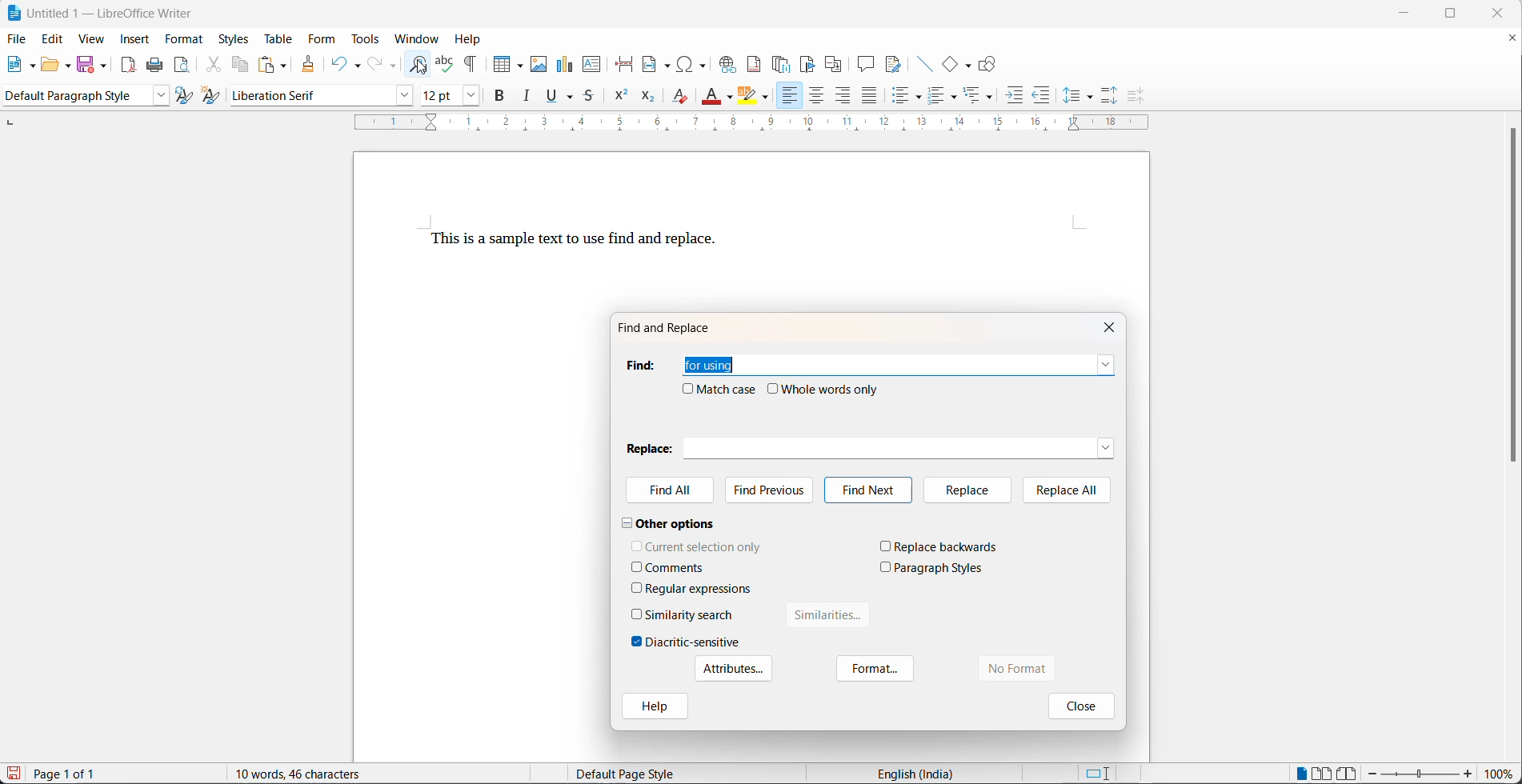  Describe the element at coordinates (321, 40) in the screenshot. I see `form` at that location.